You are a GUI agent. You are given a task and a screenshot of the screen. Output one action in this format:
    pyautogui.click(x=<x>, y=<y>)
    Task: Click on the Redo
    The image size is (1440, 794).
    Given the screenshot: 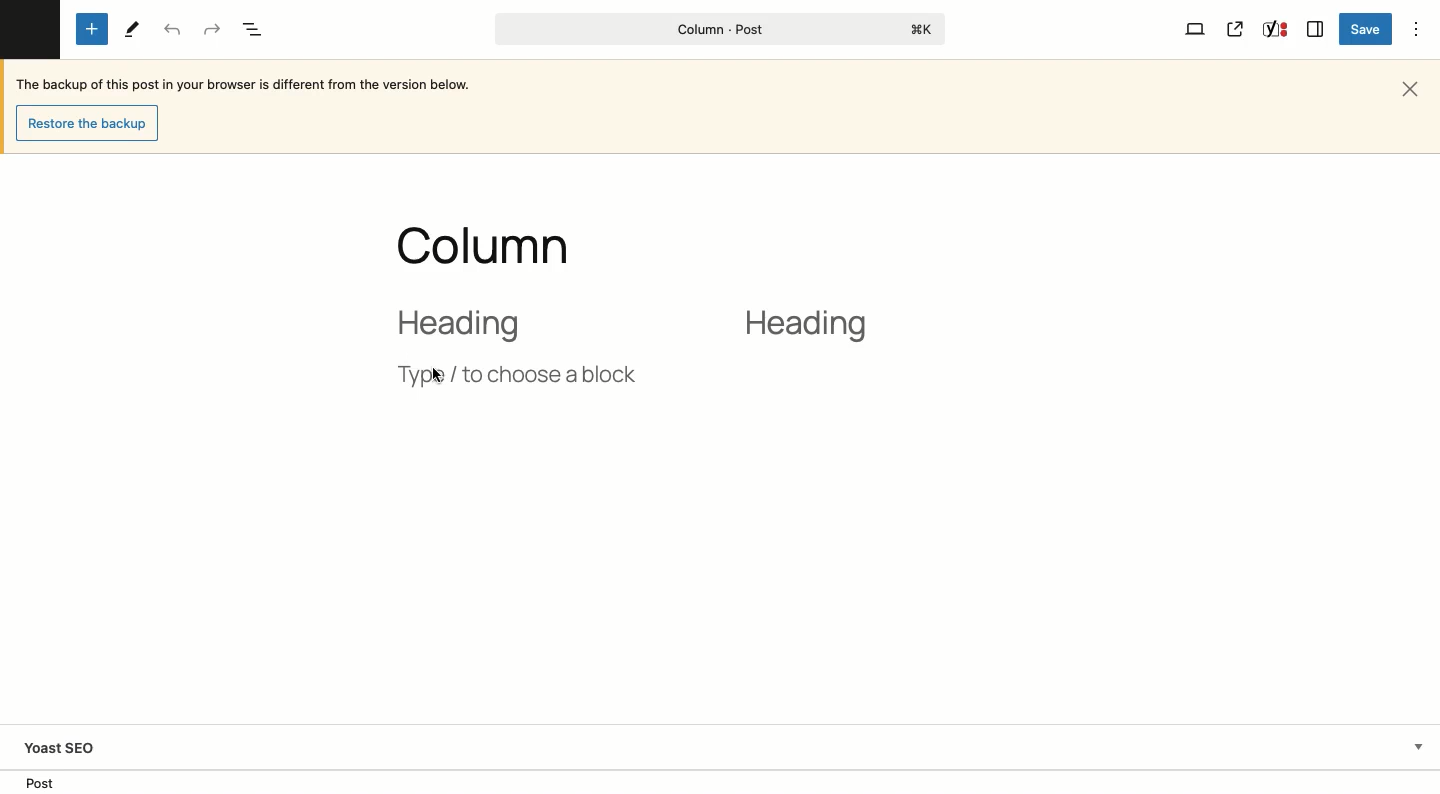 What is the action you would take?
    pyautogui.click(x=213, y=30)
    